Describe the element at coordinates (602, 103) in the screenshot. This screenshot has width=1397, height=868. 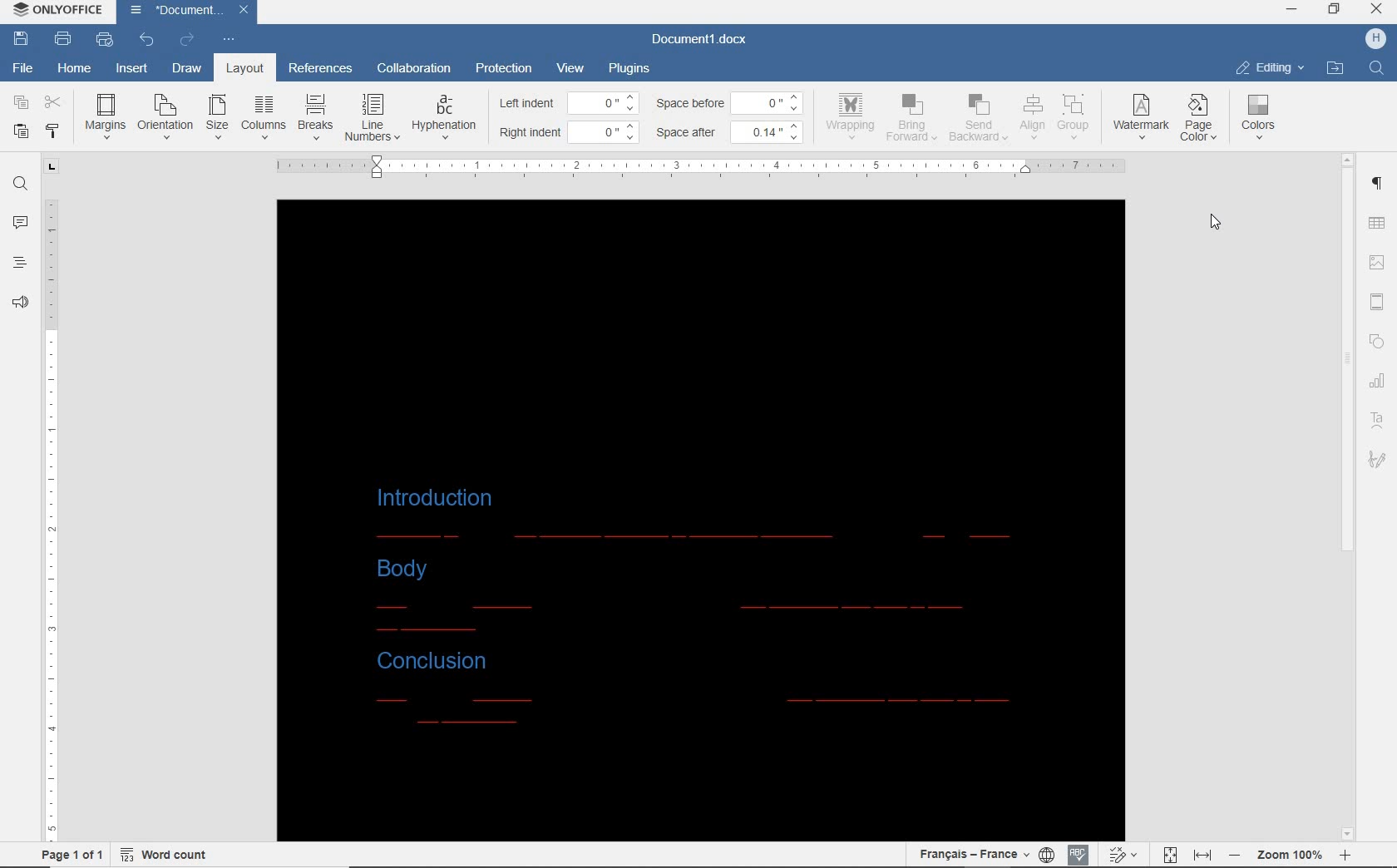
I see `0` at that location.